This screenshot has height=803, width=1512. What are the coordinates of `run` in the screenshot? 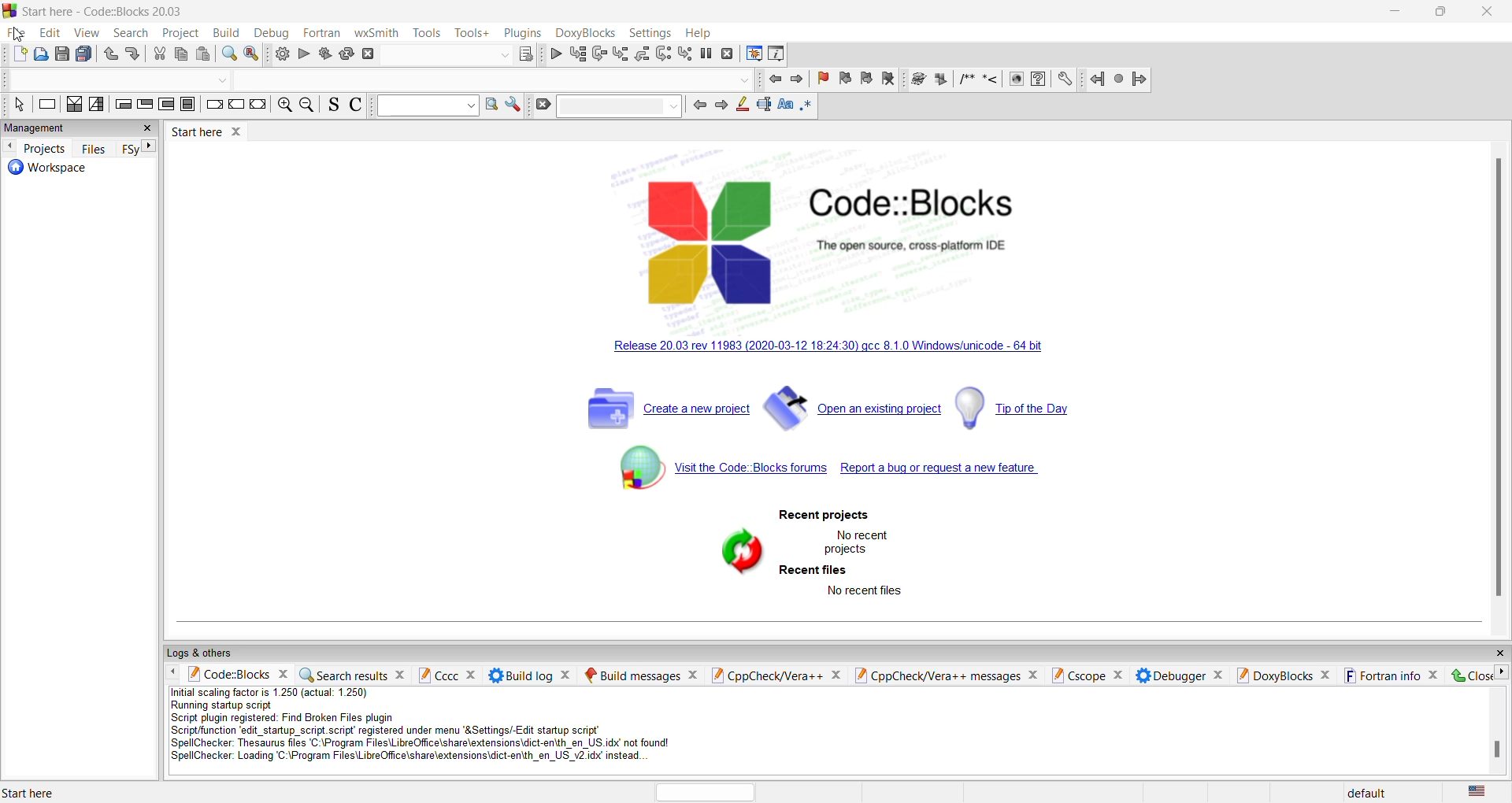 It's located at (303, 54).